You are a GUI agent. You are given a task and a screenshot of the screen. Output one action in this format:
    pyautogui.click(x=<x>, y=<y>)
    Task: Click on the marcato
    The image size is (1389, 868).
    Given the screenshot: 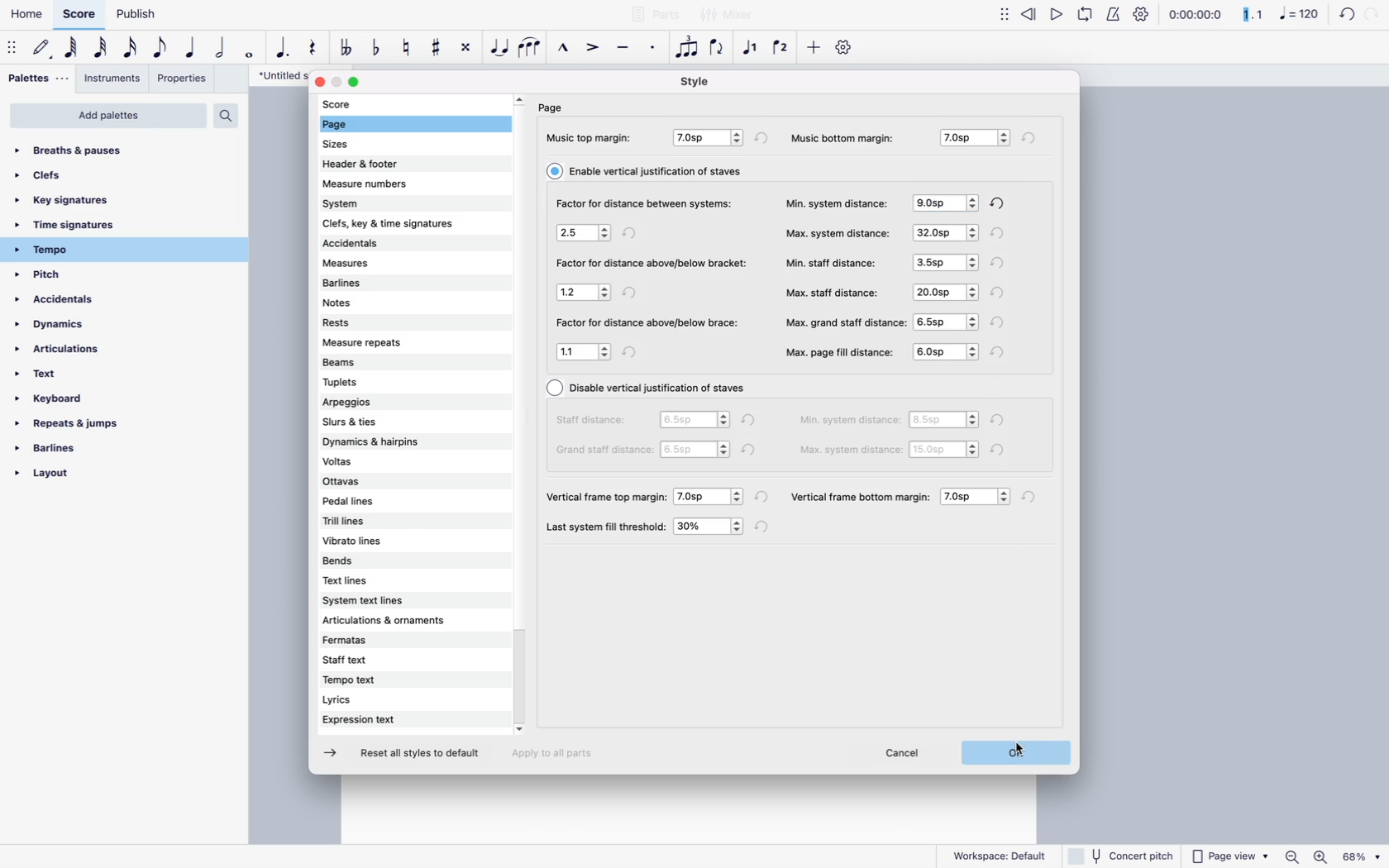 What is the action you would take?
    pyautogui.click(x=566, y=48)
    